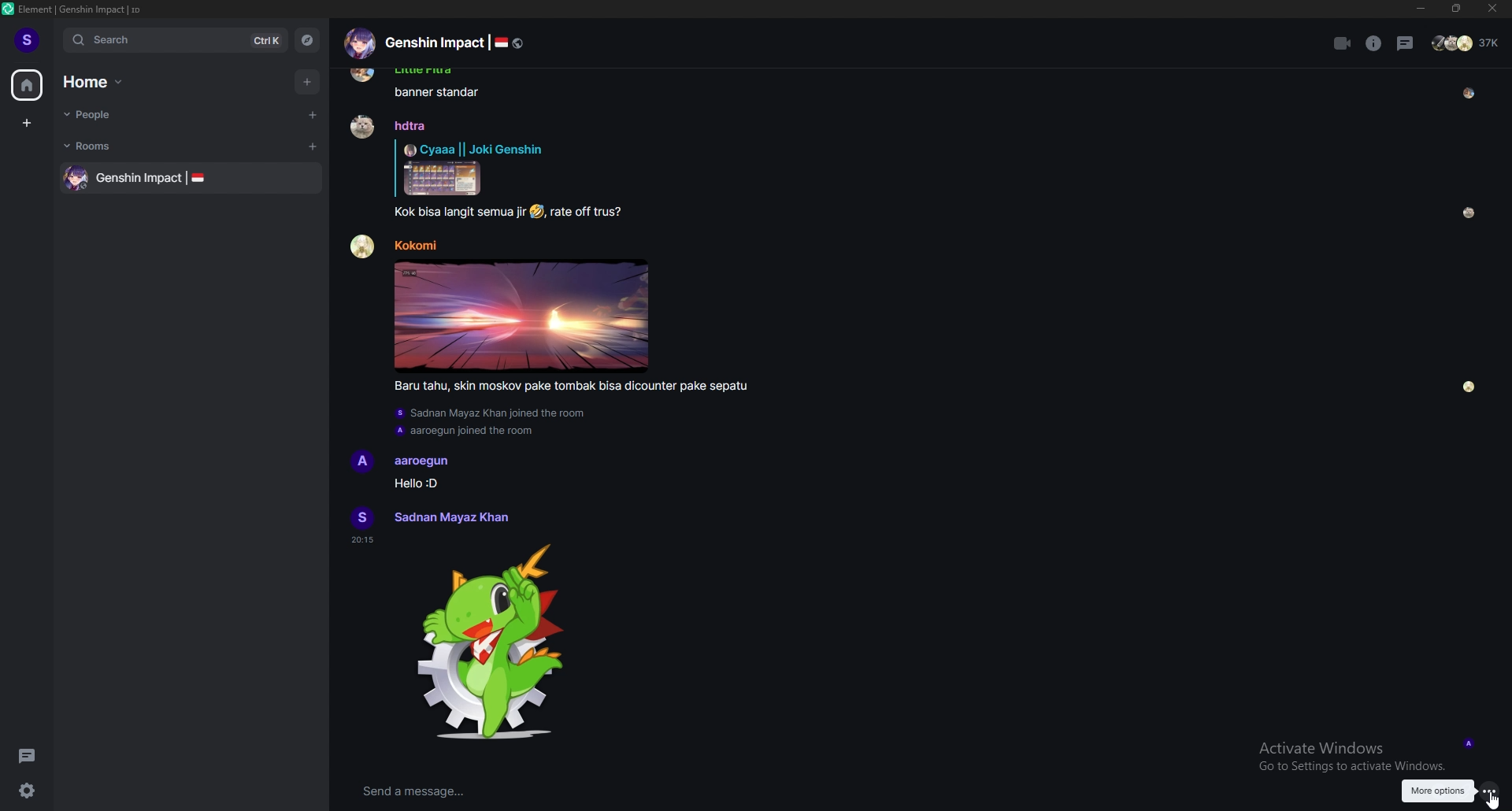 This screenshot has width=1512, height=811. What do you see at coordinates (106, 146) in the screenshot?
I see `rooms` at bounding box center [106, 146].